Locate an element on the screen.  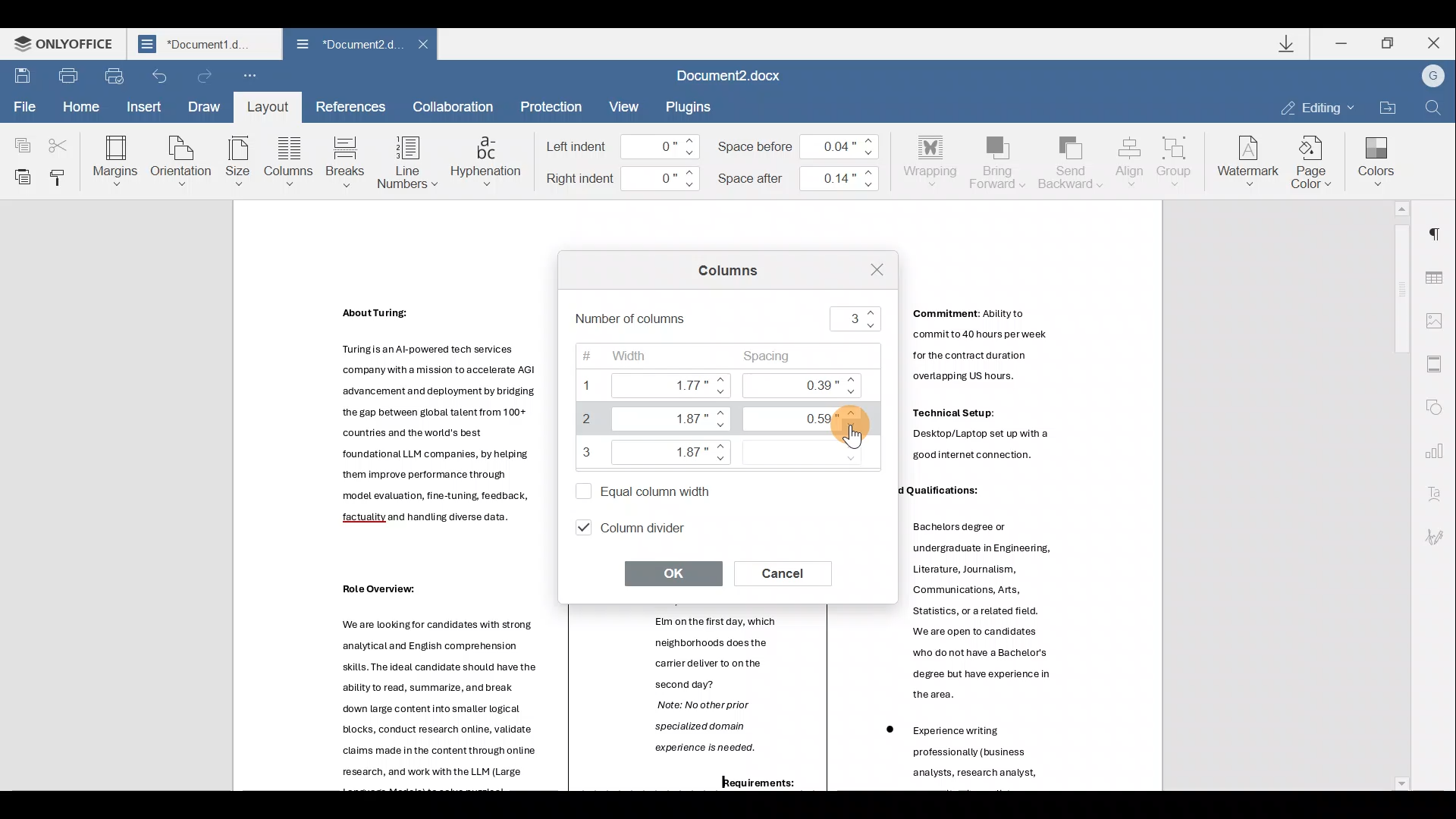
Columns is located at coordinates (723, 274).